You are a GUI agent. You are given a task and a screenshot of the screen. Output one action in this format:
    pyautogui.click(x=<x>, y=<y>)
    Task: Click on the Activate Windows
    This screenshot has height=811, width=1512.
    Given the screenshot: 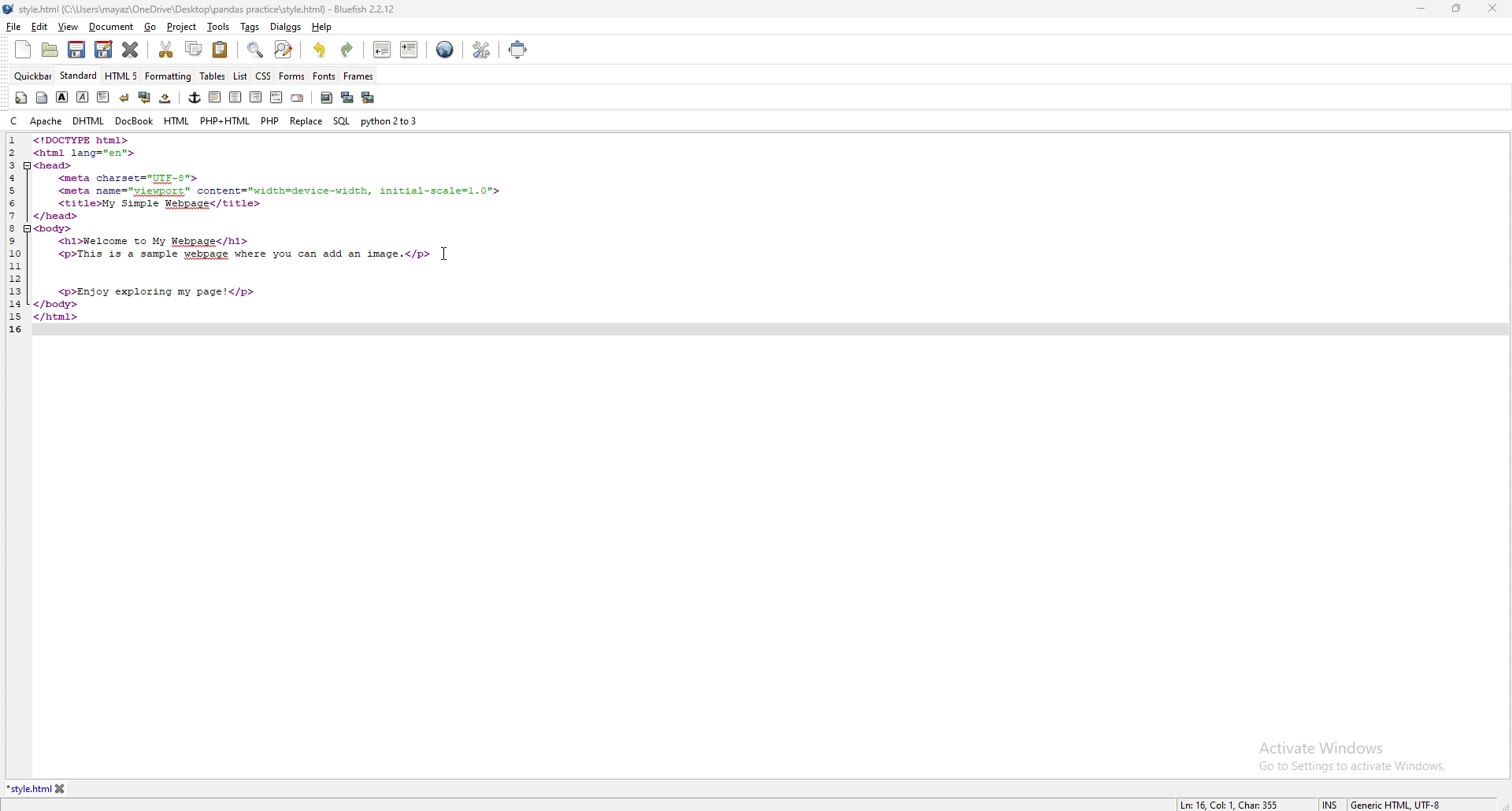 What is the action you would take?
    pyautogui.click(x=1322, y=748)
    